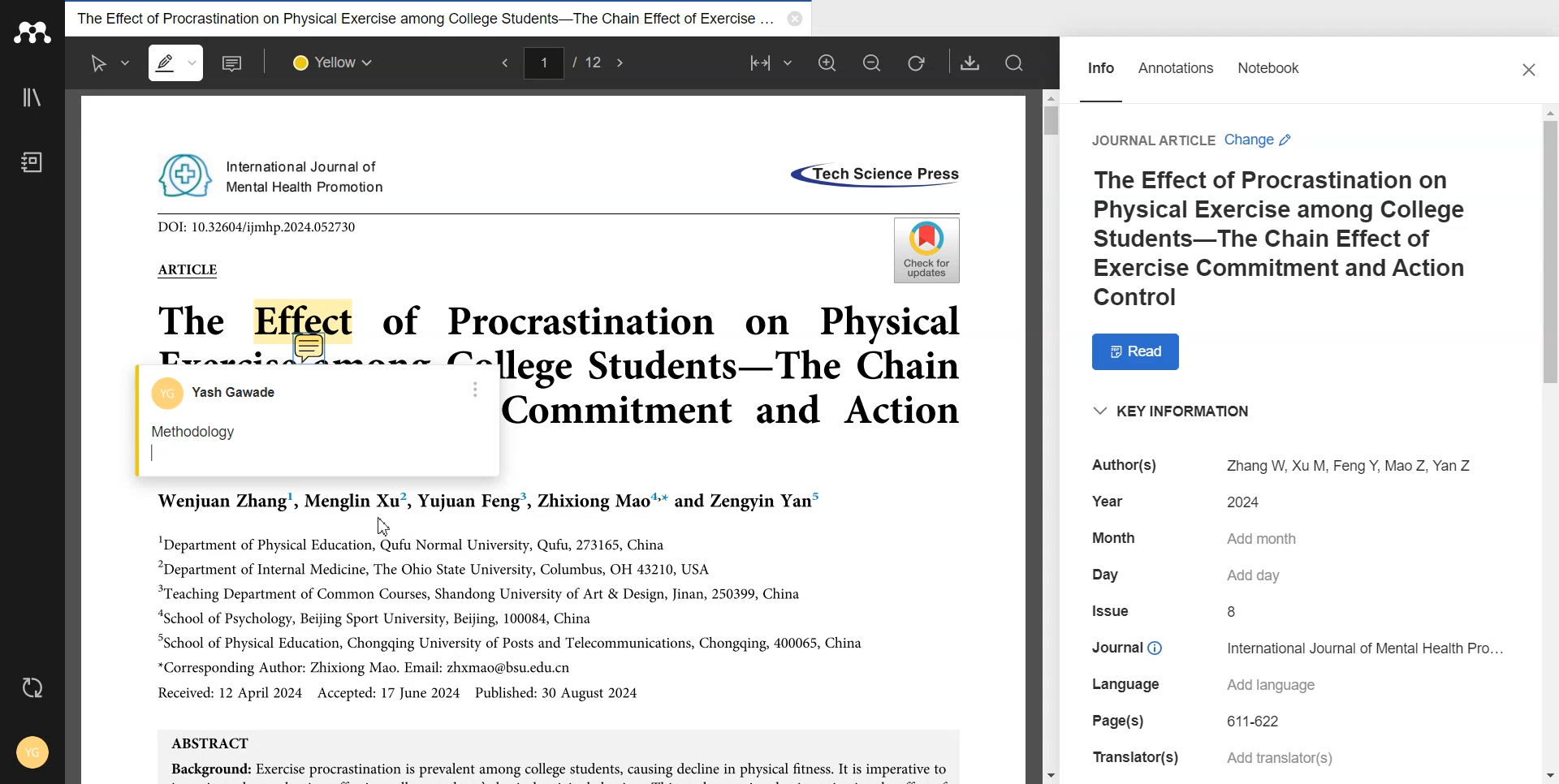  I want to click on Translator(s) Add translator(s), so click(1212, 758).